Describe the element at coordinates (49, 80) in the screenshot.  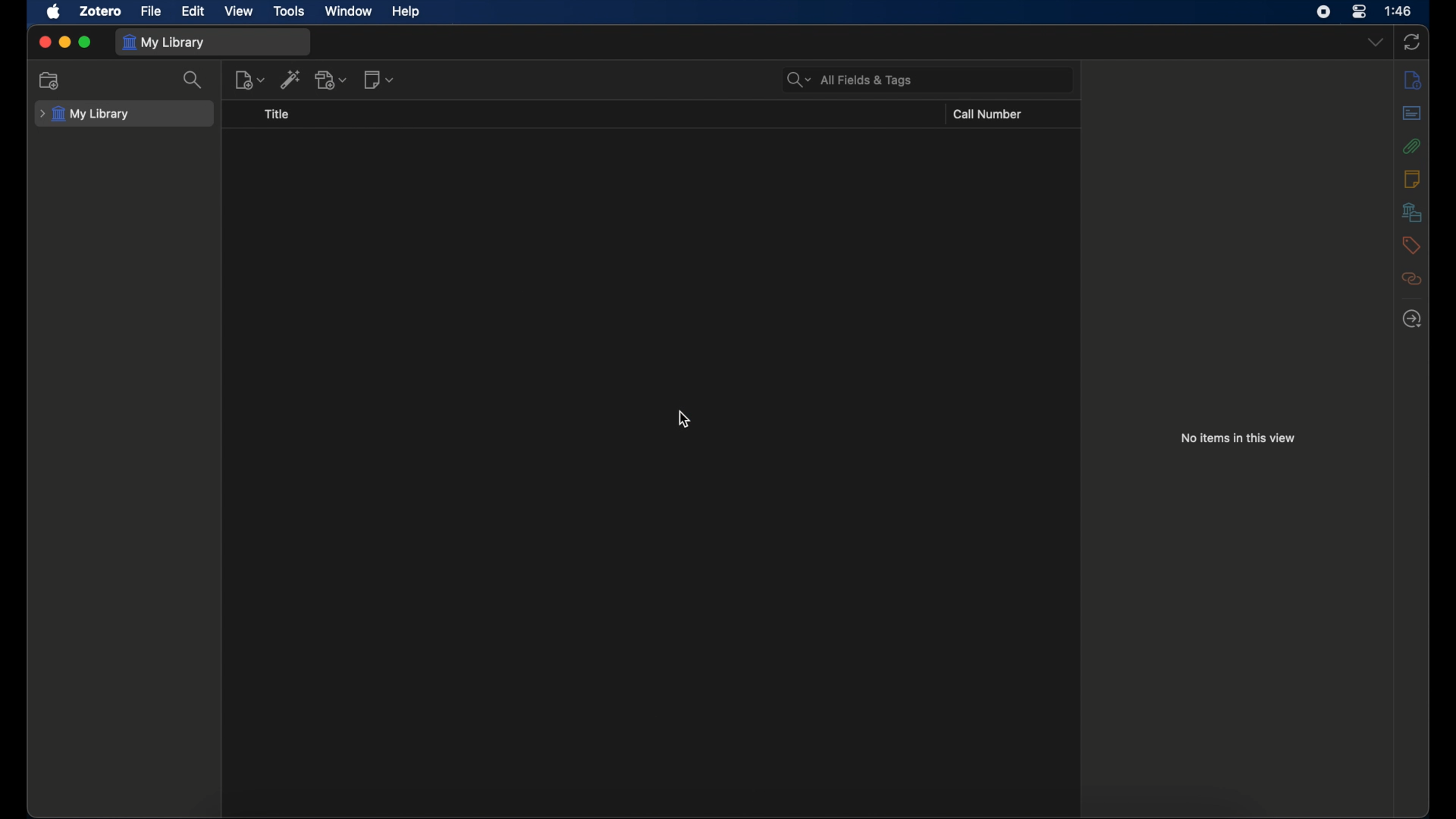
I see `new collection` at that location.